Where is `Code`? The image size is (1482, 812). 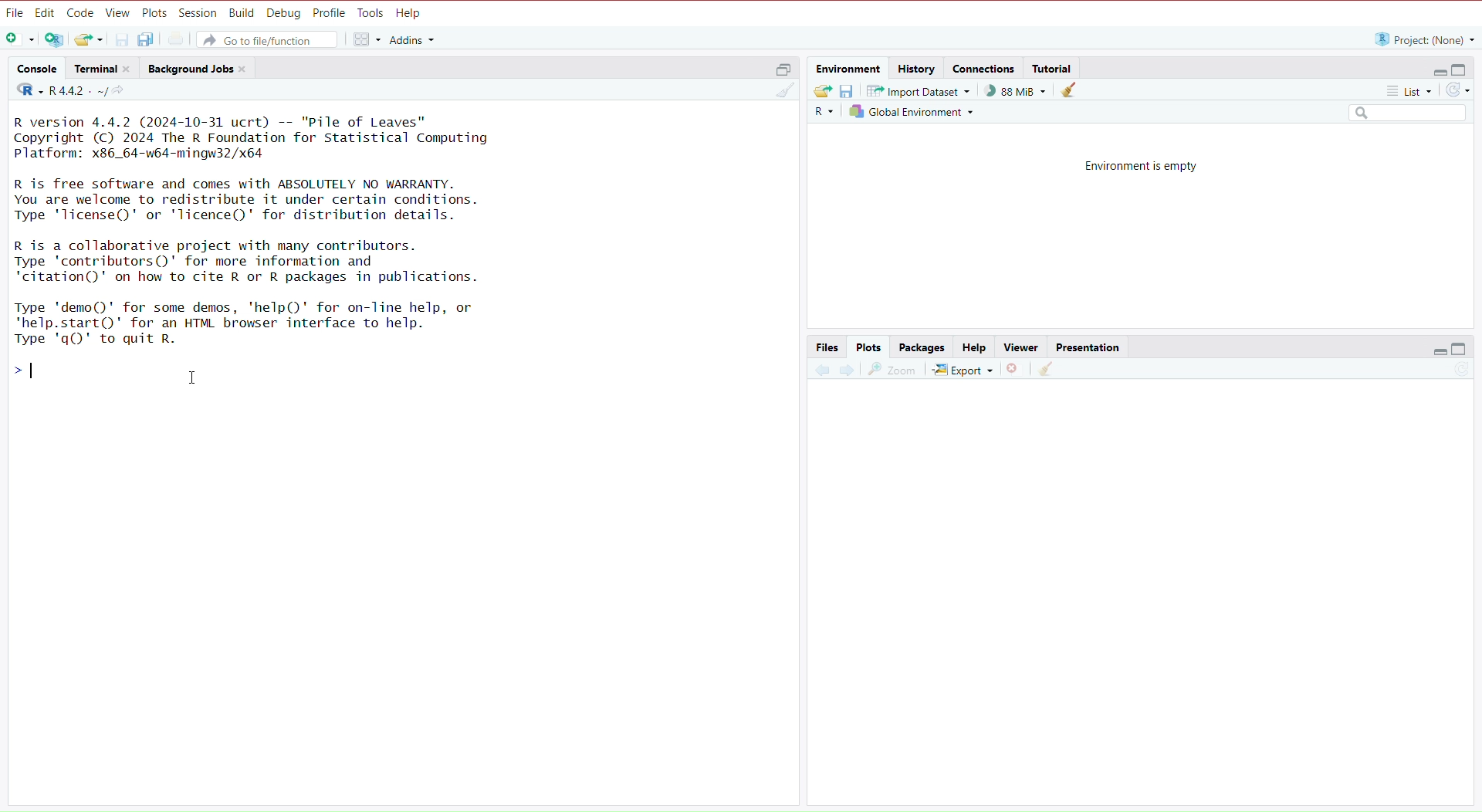
Code is located at coordinates (82, 12).